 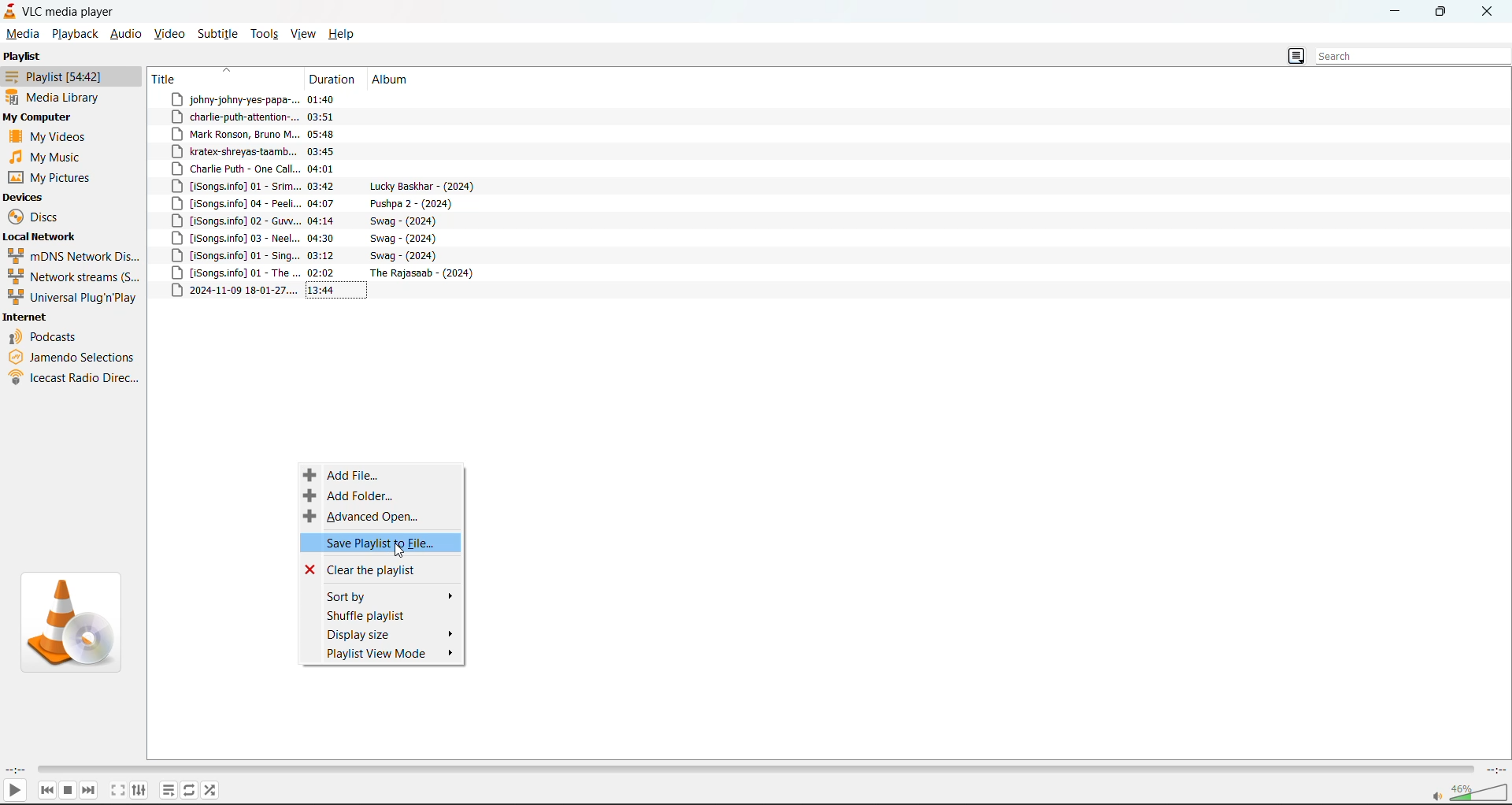 I want to click on display size, so click(x=380, y=634).